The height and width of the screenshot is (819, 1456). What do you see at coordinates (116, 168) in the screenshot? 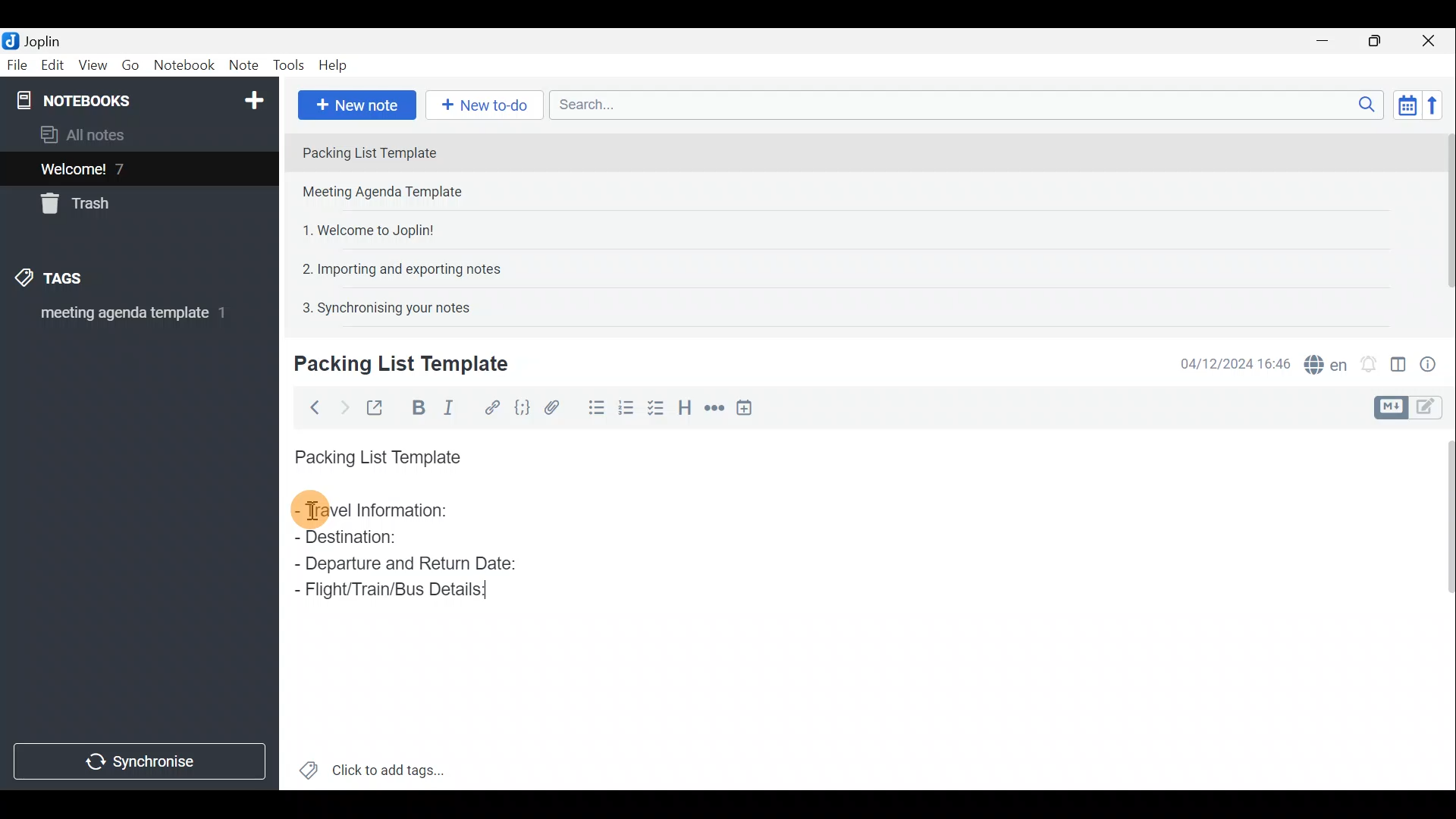
I see `Welcome` at bounding box center [116, 168].